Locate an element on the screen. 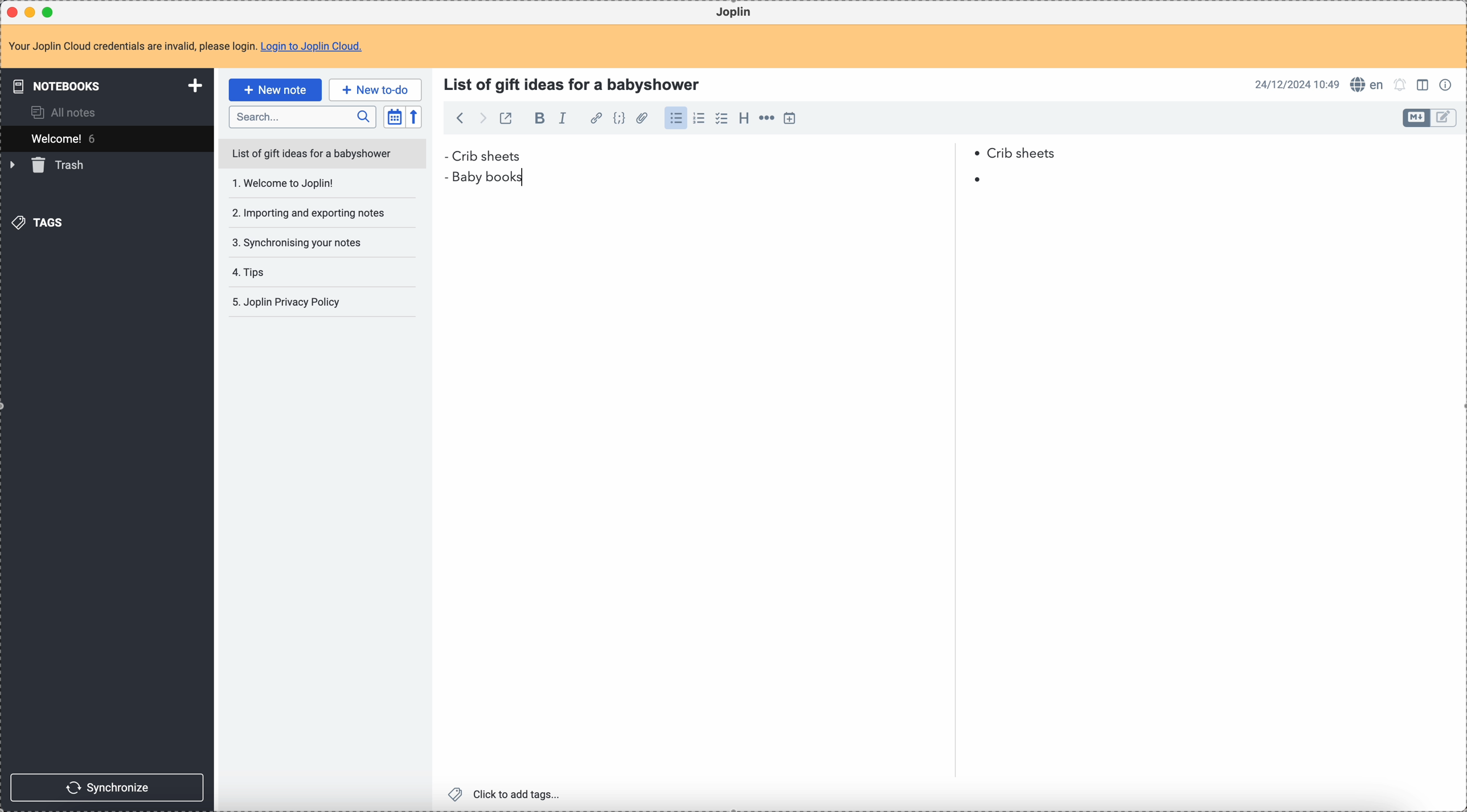 This screenshot has width=1467, height=812. hyperlink is located at coordinates (596, 119).